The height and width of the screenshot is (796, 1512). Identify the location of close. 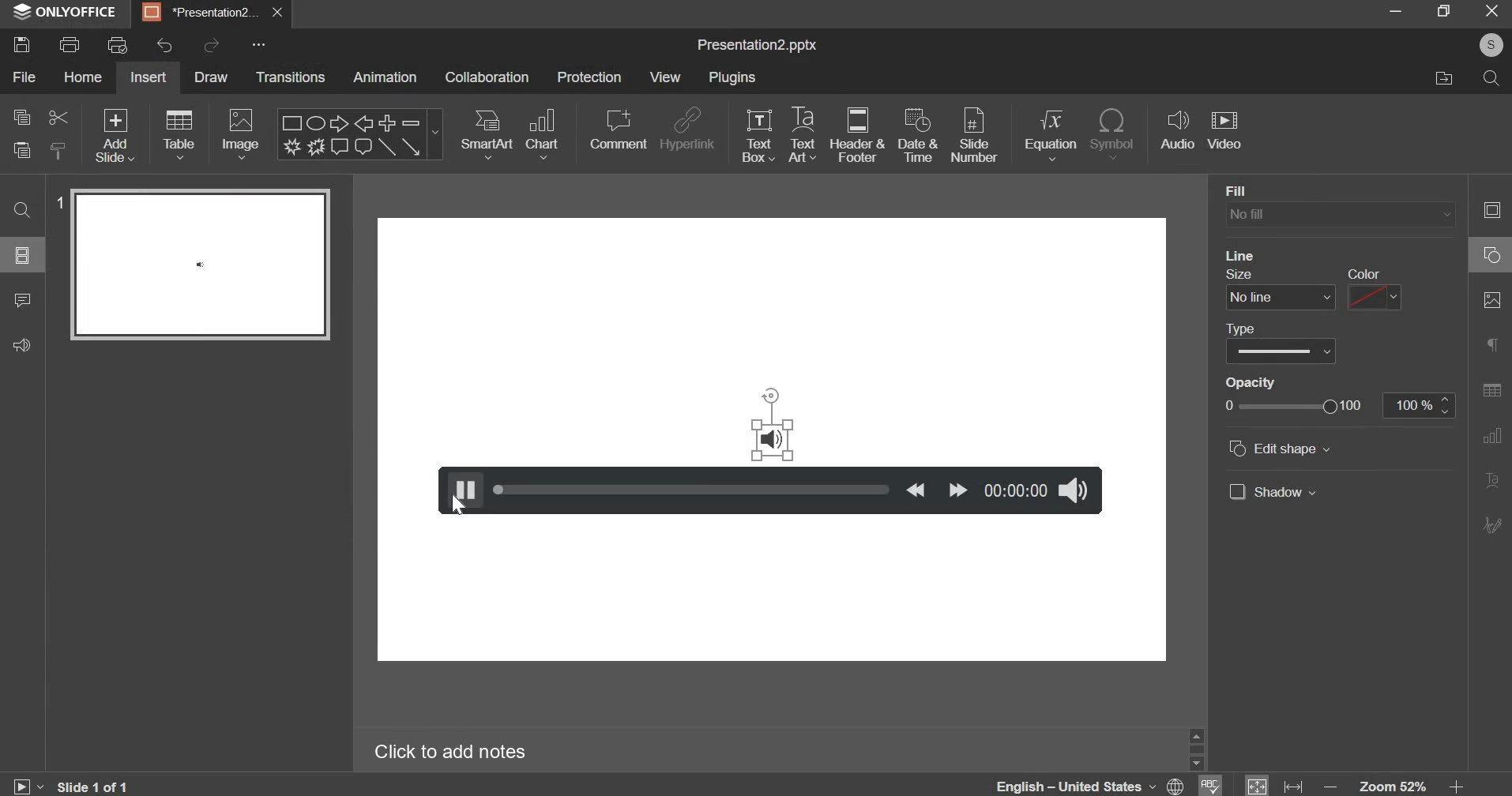
(277, 13).